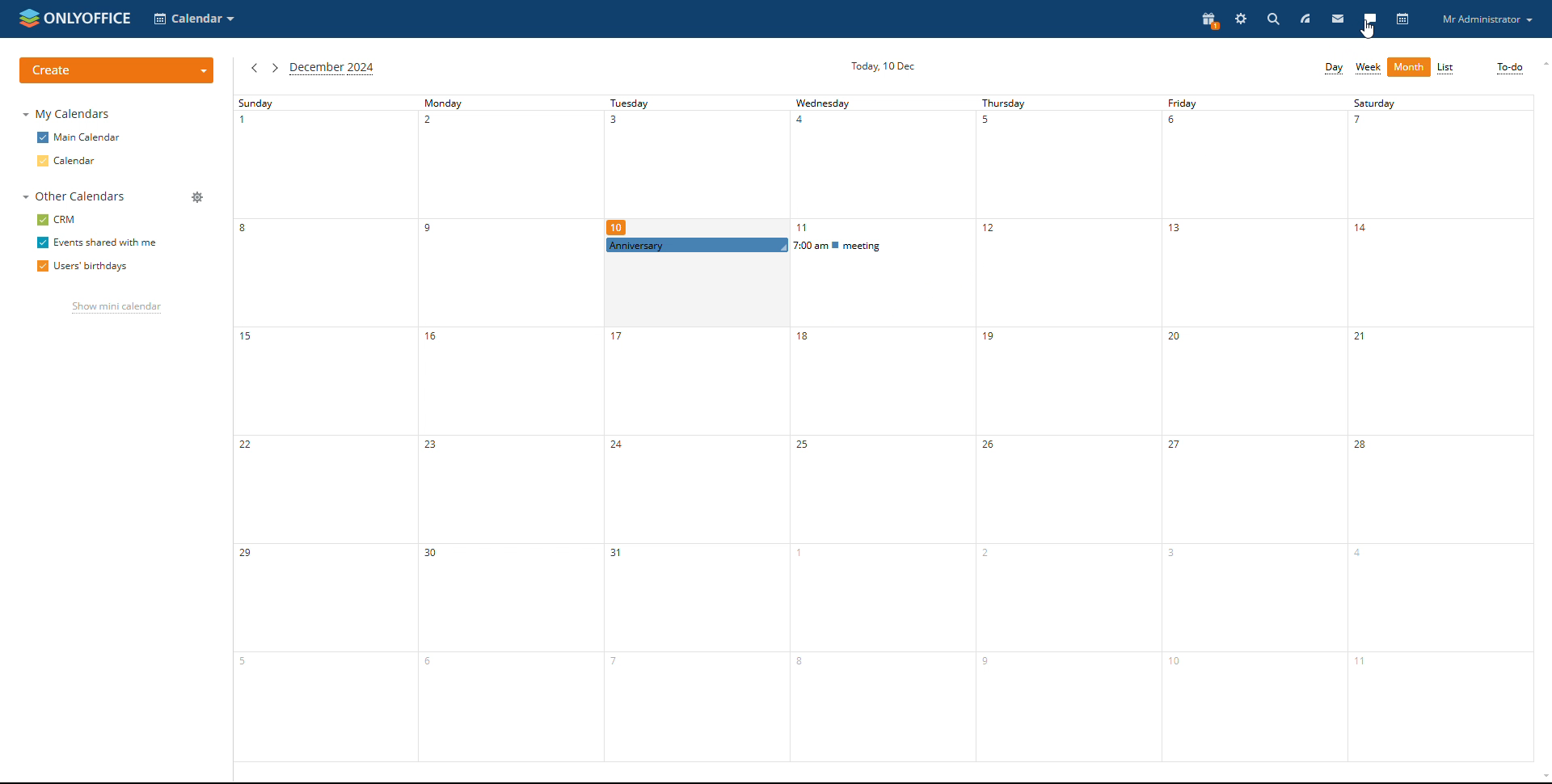 The width and height of the screenshot is (1552, 784). Describe the element at coordinates (696, 510) in the screenshot. I see `tuesday` at that location.